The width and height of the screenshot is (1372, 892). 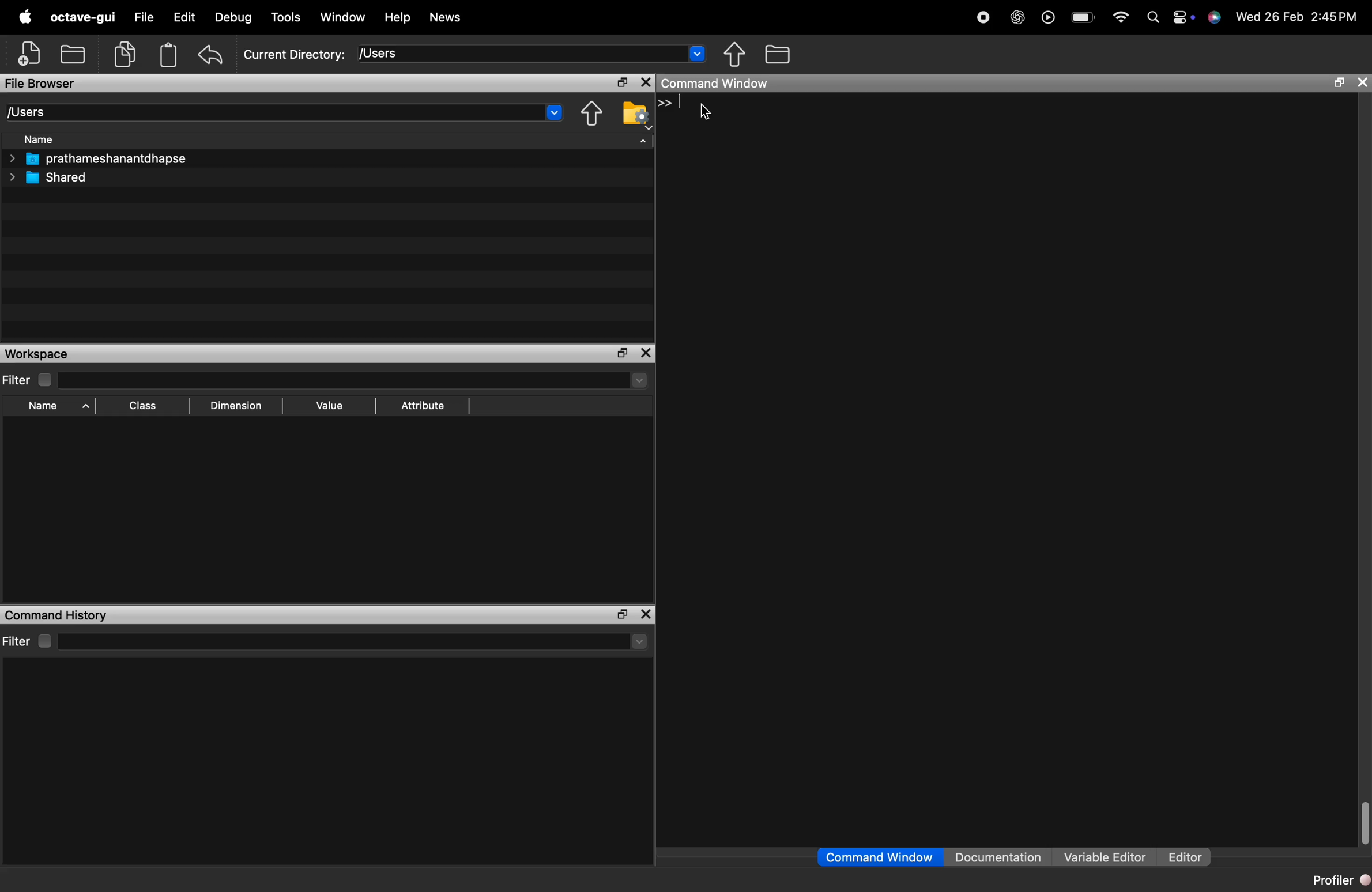 What do you see at coordinates (789, 55) in the screenshot?
I see `files` at bounding box center [789, 55].